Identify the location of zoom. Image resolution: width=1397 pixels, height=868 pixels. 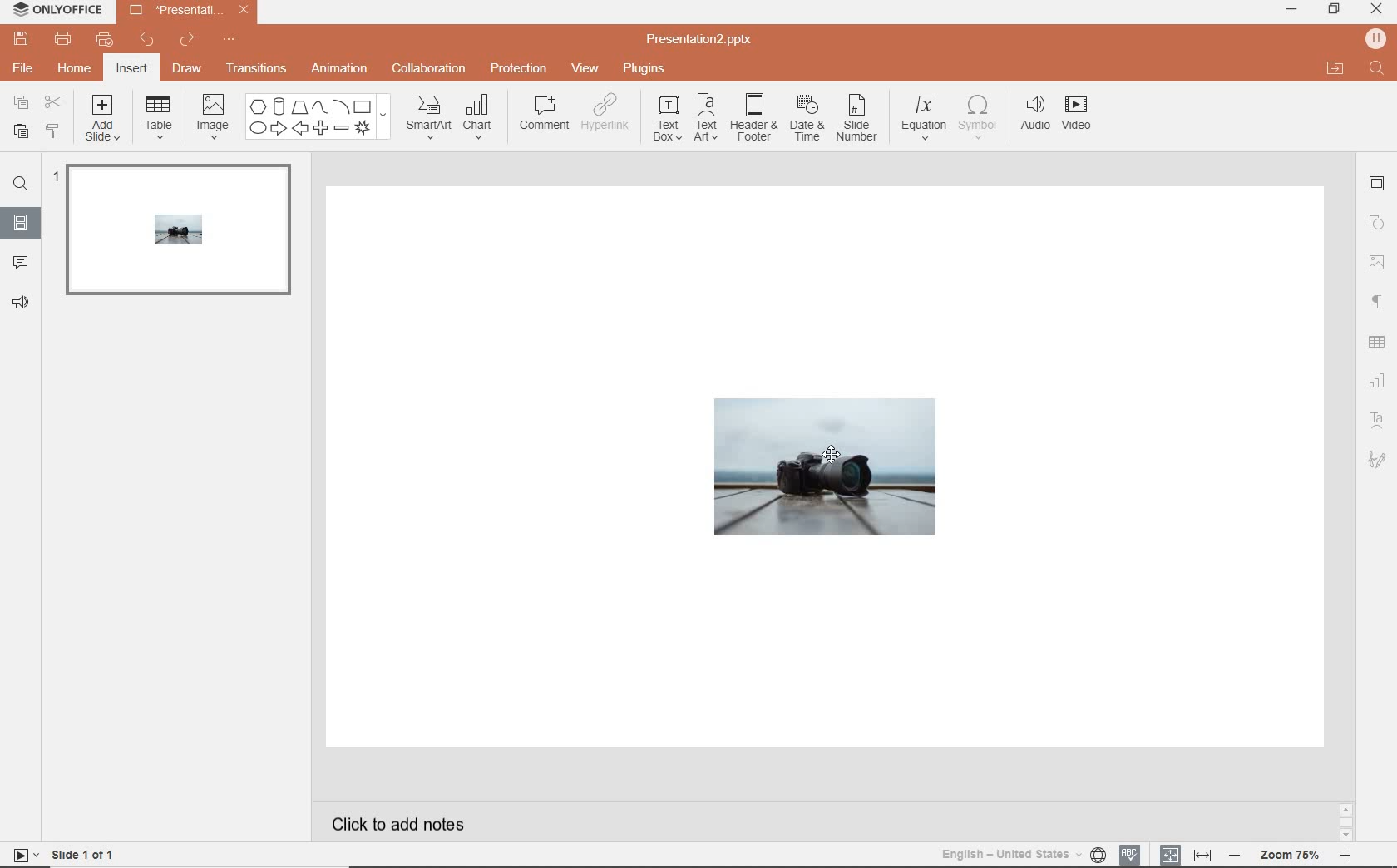
(1289, 853).